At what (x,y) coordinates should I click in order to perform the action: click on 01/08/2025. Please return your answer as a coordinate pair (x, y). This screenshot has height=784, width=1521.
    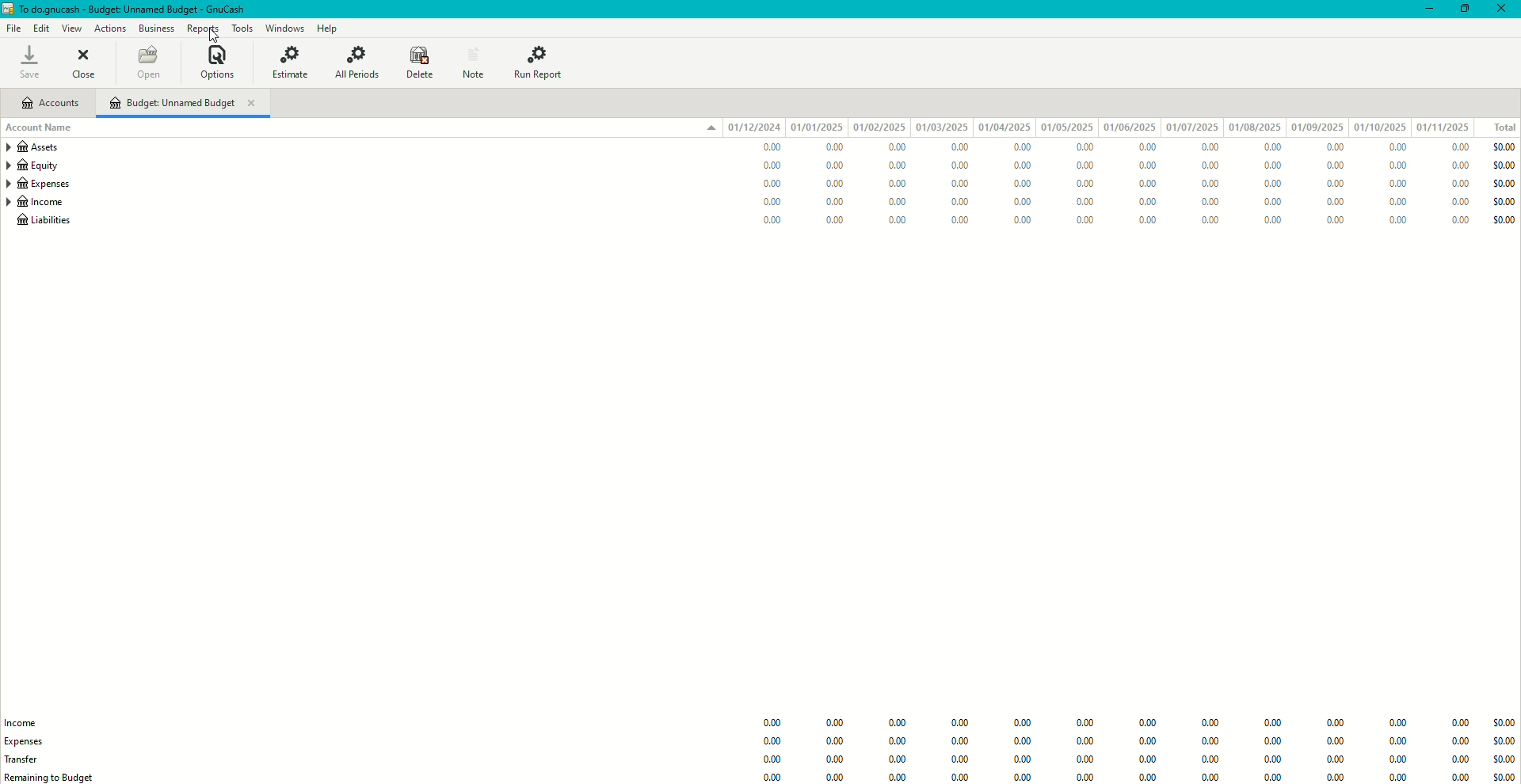
    Looking at the image, I should click on (1256, 128).